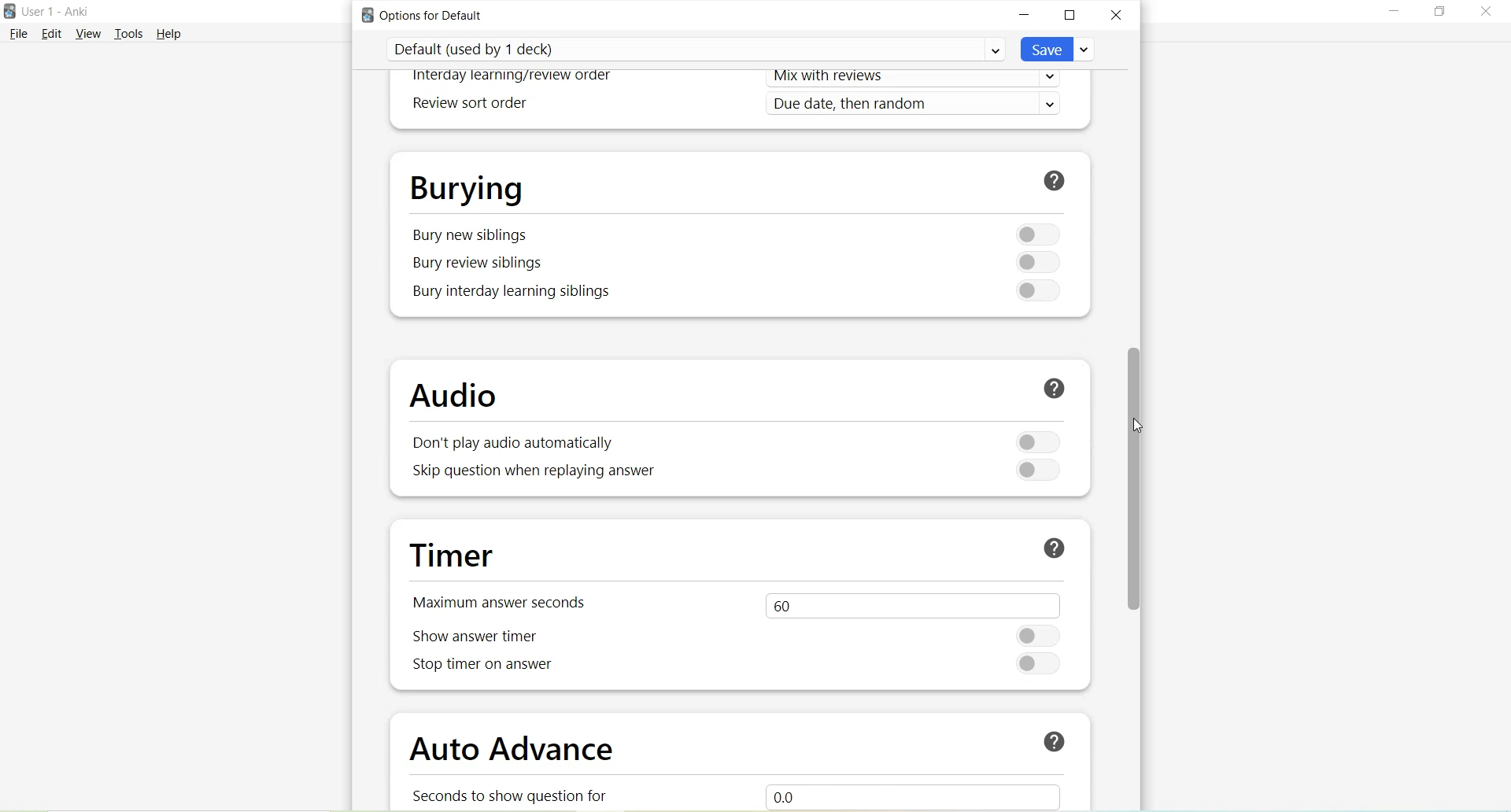 This screenshot has height=812, width=1511. What do you see at coordinates (1034, 263) in the screenshot?
I see `Toggle` at bounding box center [1034, 263].